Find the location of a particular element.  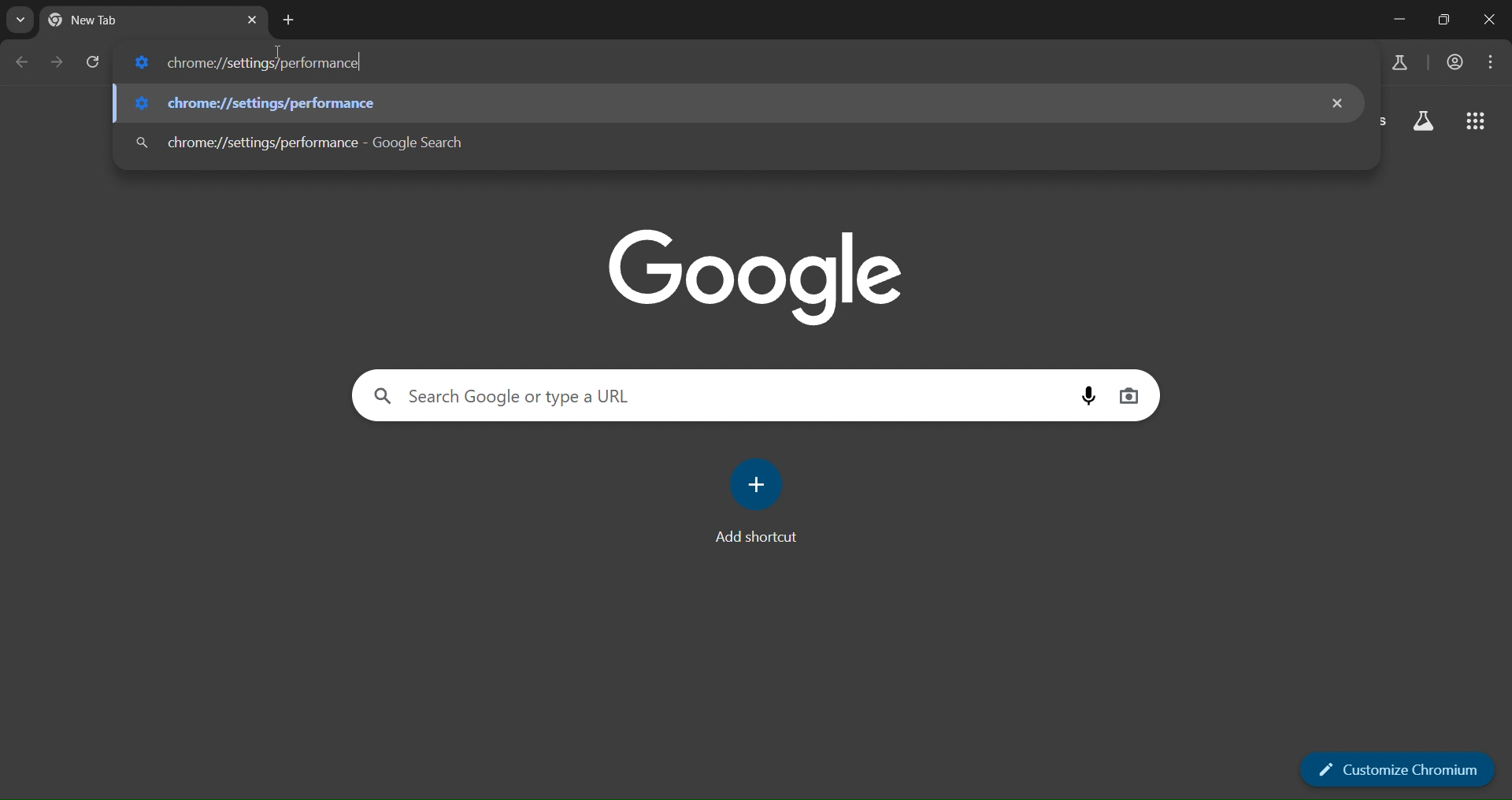

search tabs is located at coordinates (21, 20).